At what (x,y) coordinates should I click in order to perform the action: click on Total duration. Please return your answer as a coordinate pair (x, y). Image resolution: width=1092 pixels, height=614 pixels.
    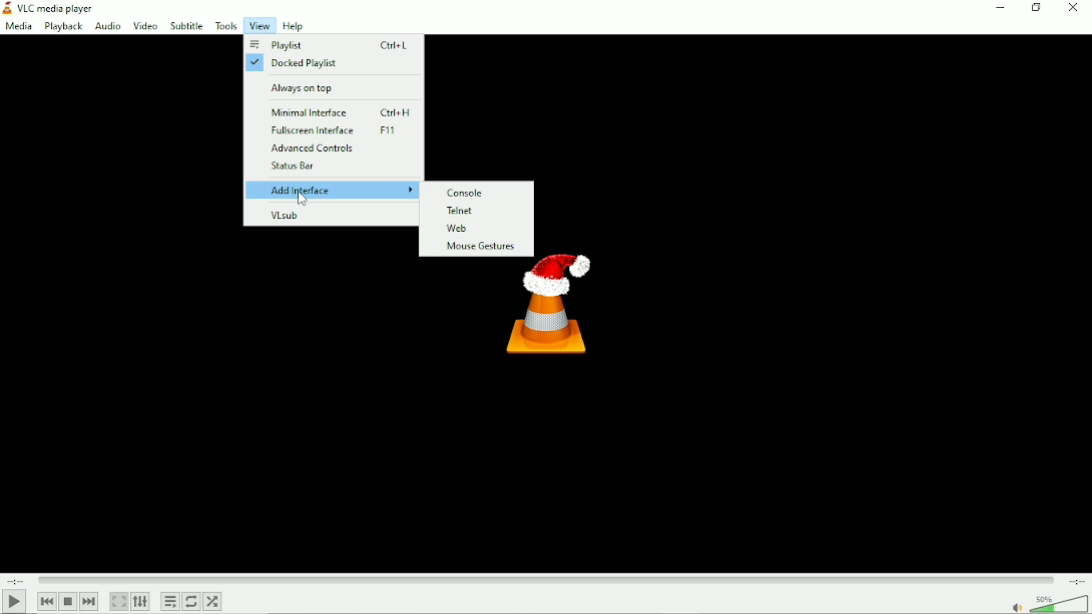
    Looking at the image, I should click on (1075, 580).